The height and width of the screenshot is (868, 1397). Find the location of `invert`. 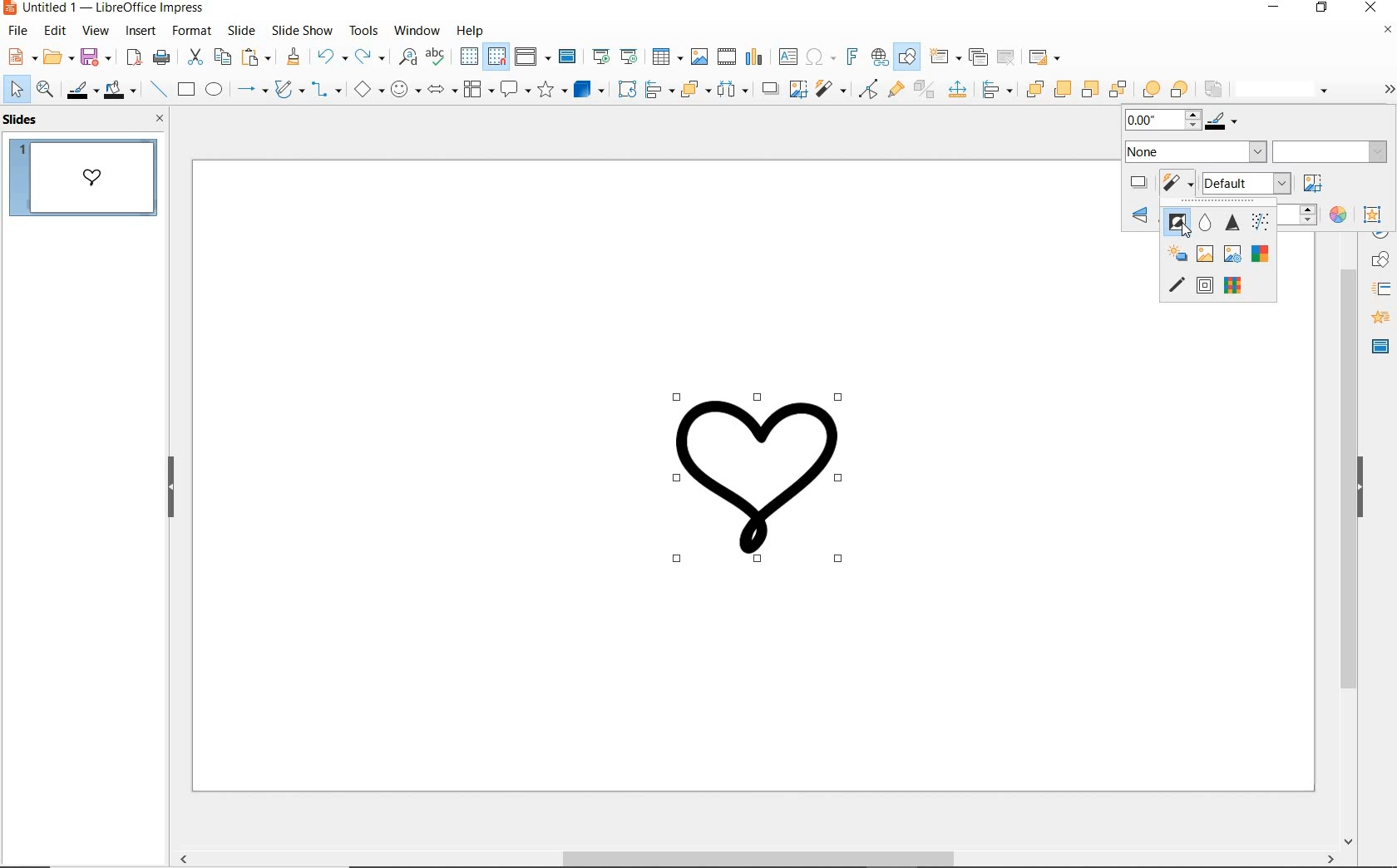

invert is located at coordinates (1179, 223).